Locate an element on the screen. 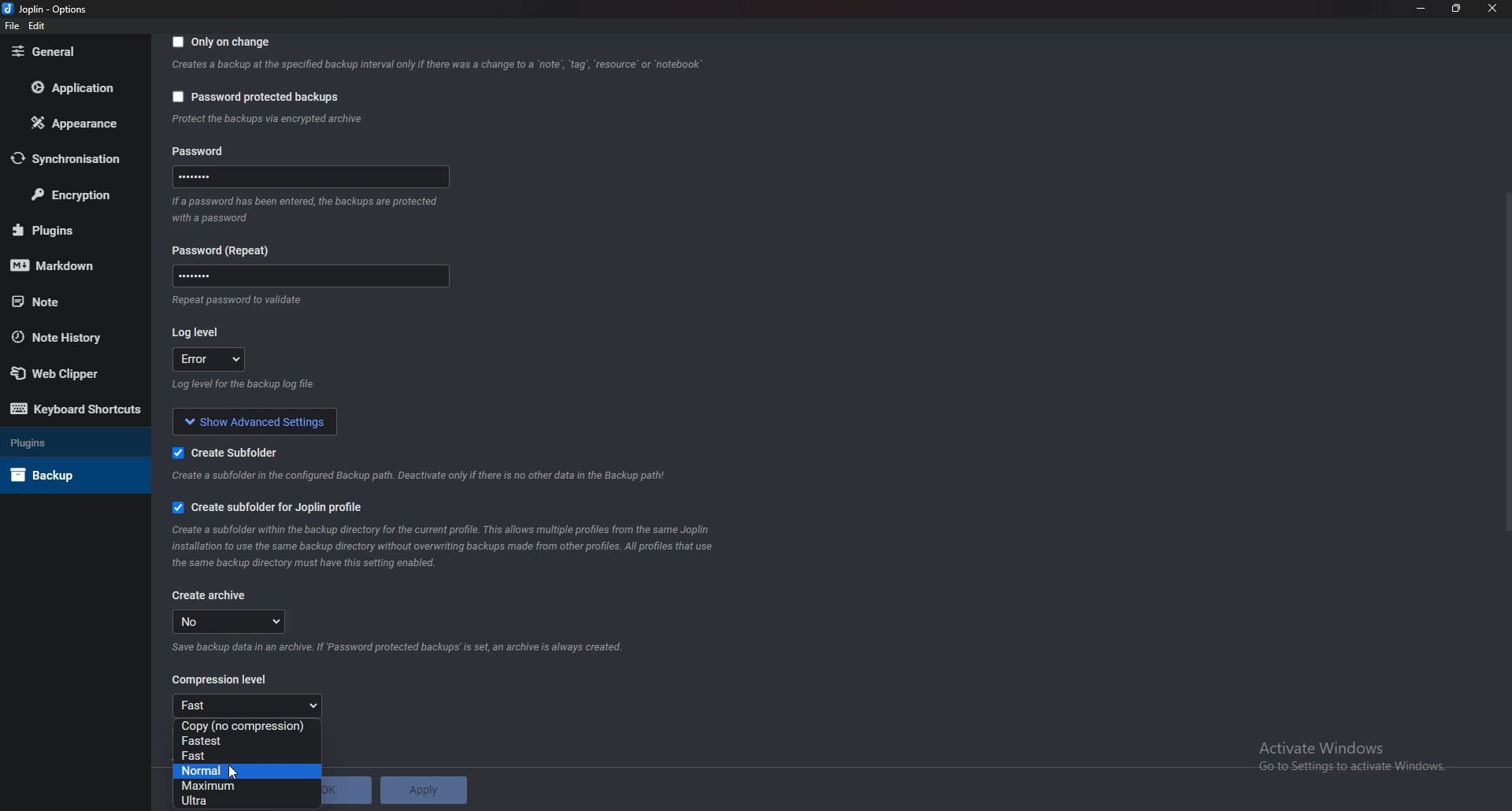 The image size is (1512, 811). Apply is located at coordinates (423, 790).